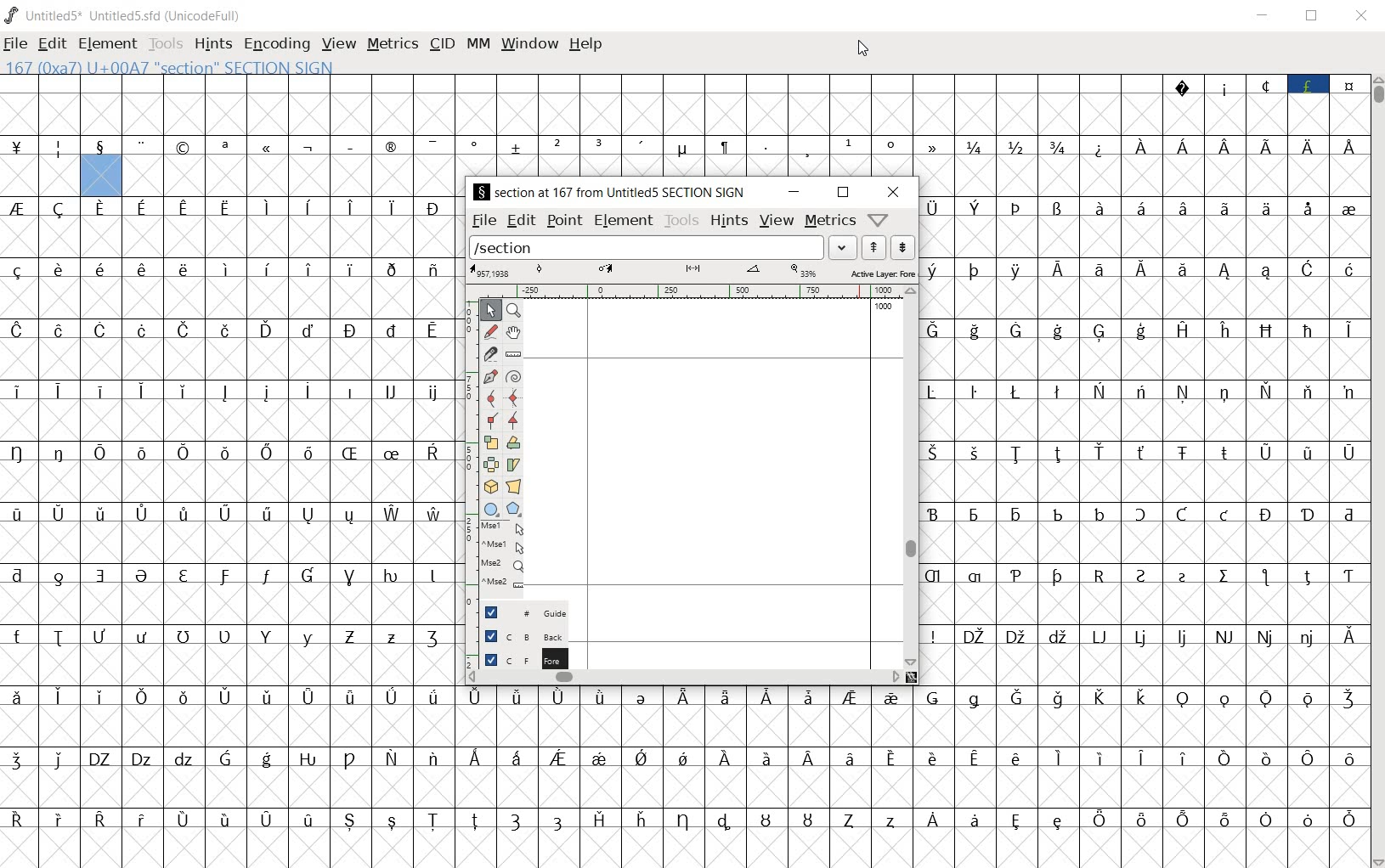  I want to click on view, so click(778, 222).